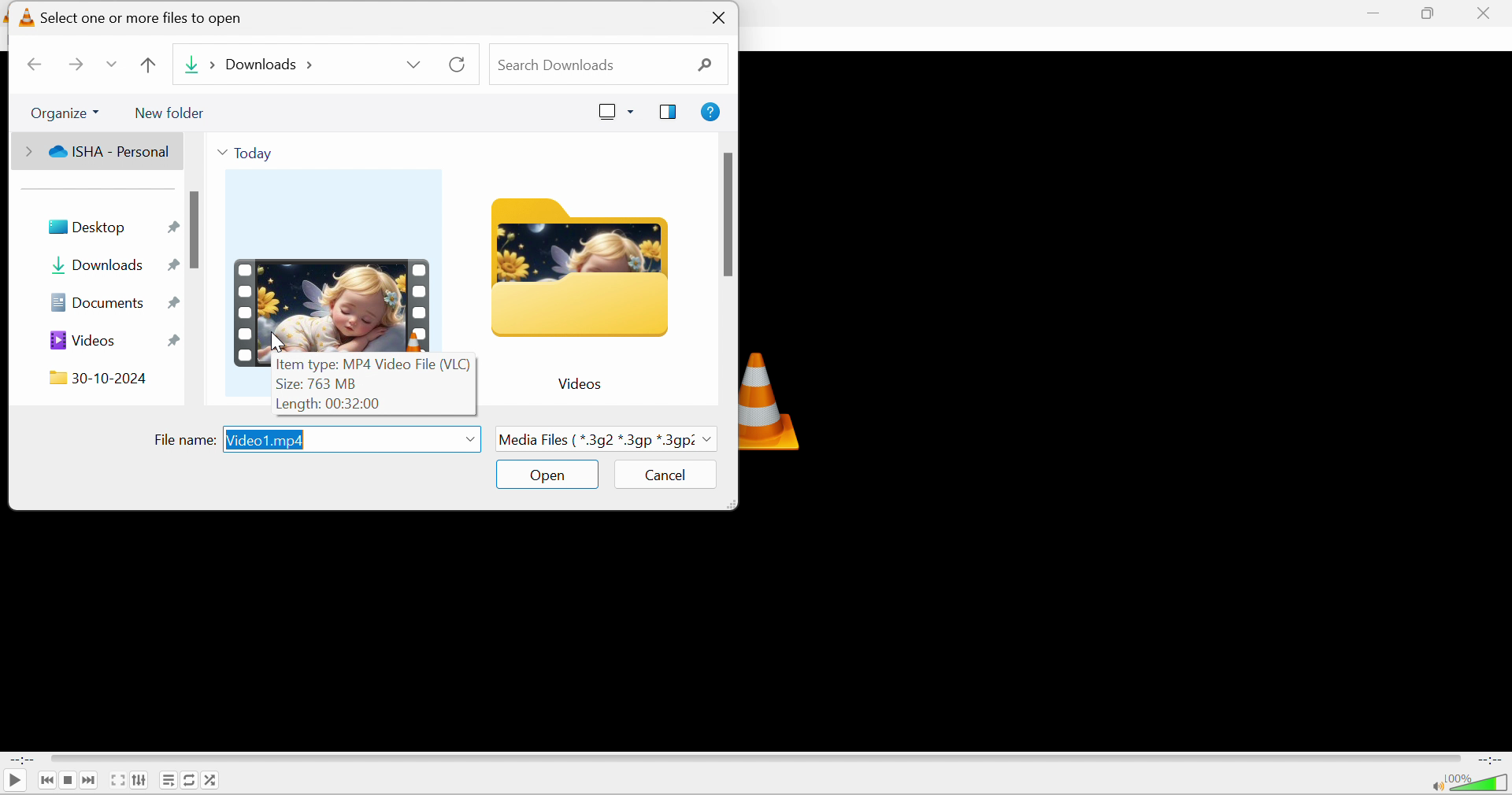  Describe the element at coordinates (96, 268) in the screenshot. I see `Downloads` at that location.